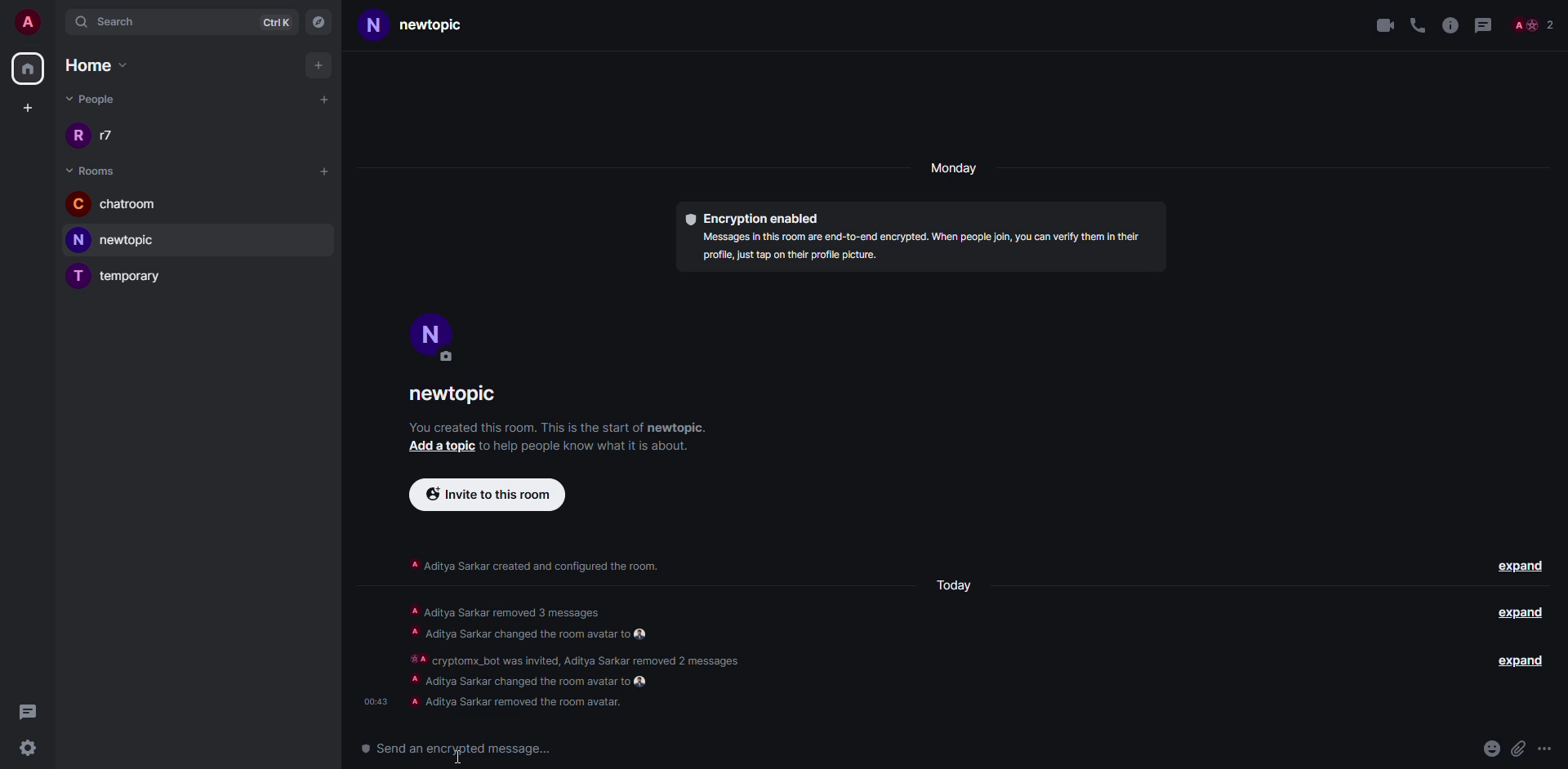 Image resolution: width=1568 pixels, height=769 pixels. I want to click on newtopic, so click(434, 26).